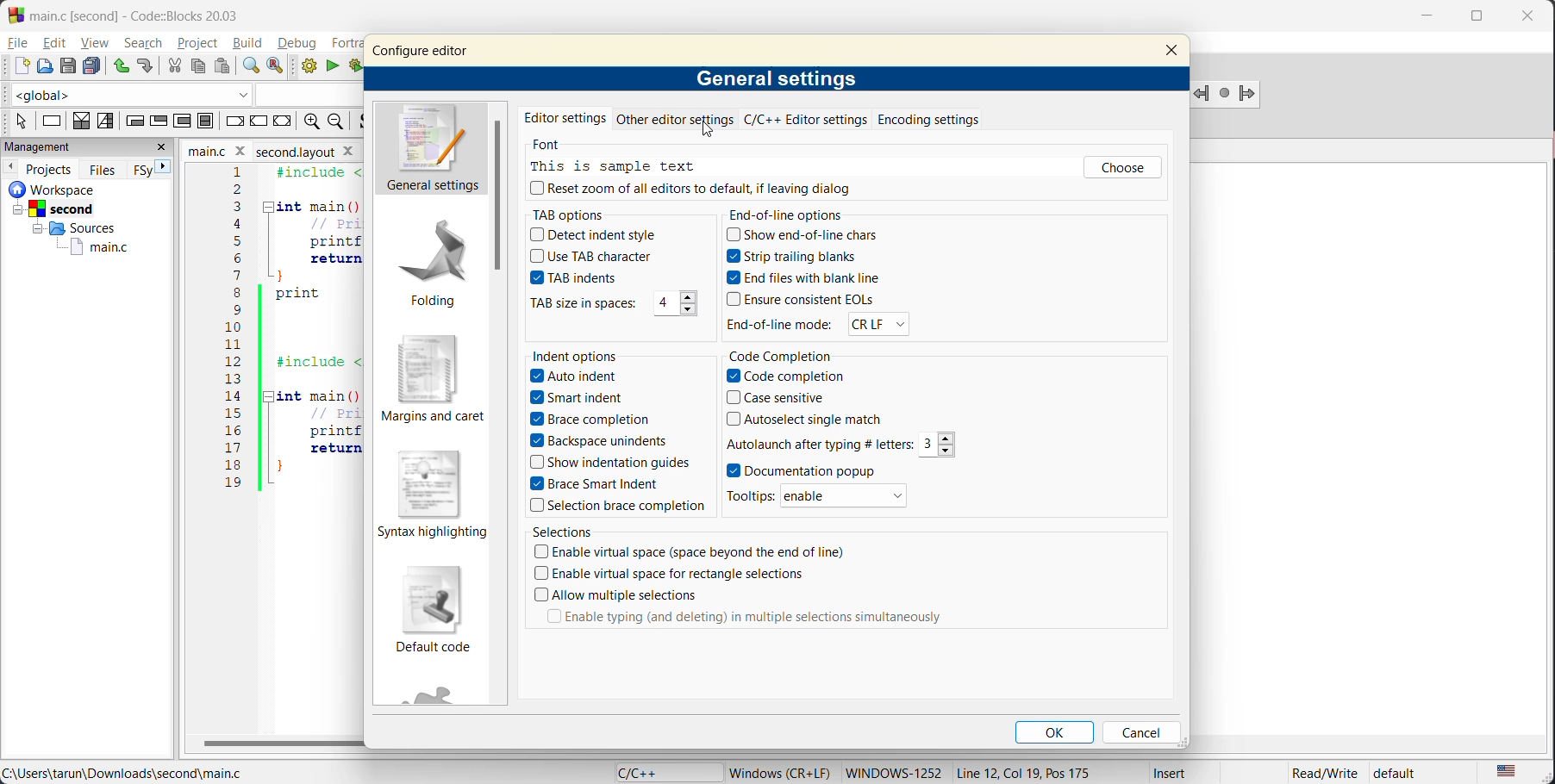 This screenshot has width=1555, height=784. I want to click on Enable typing (and deleting) in multiple selections simultaneously, so click(750, 622).